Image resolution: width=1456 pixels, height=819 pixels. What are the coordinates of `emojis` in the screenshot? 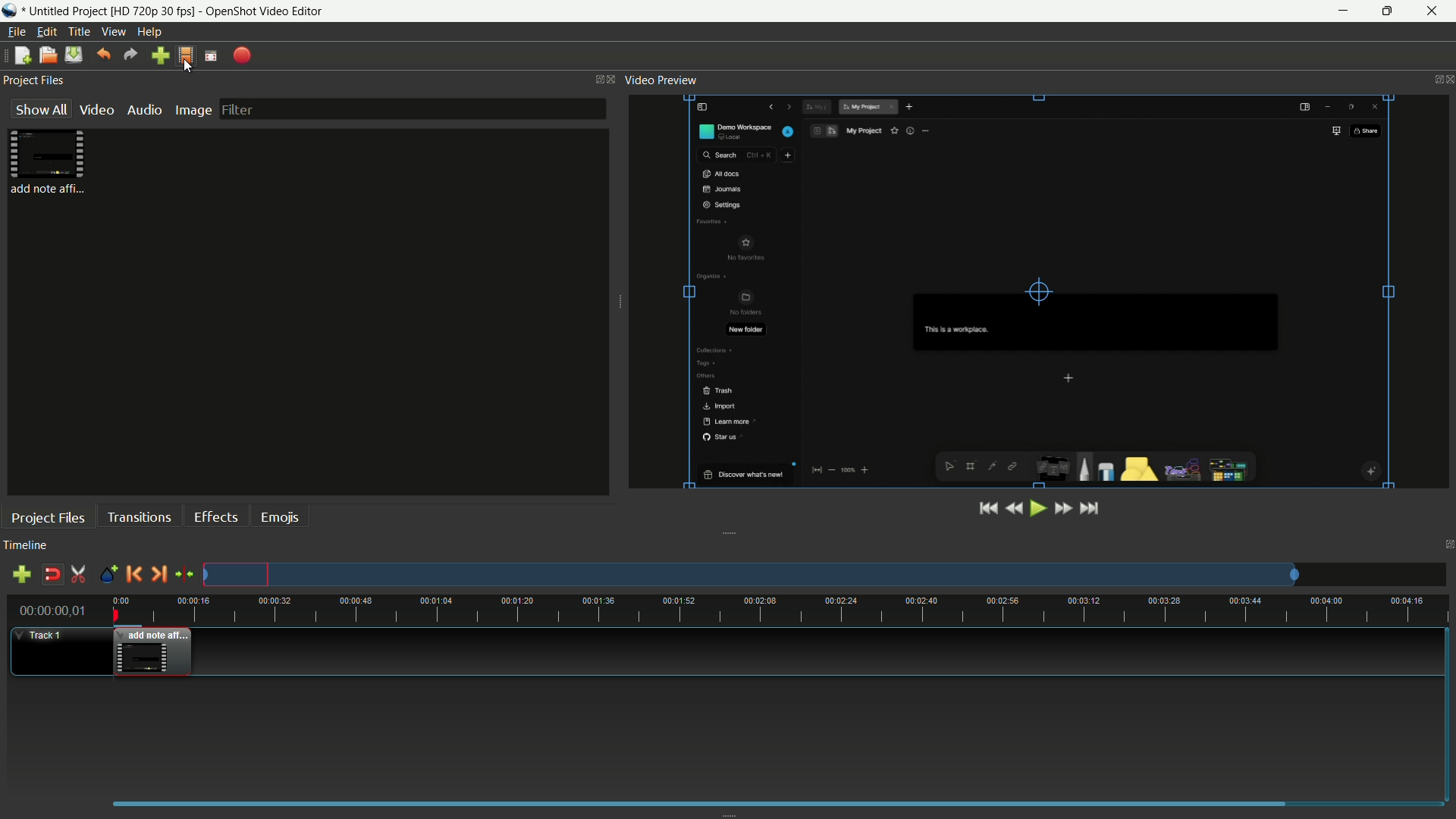 It's located at (281, 518).